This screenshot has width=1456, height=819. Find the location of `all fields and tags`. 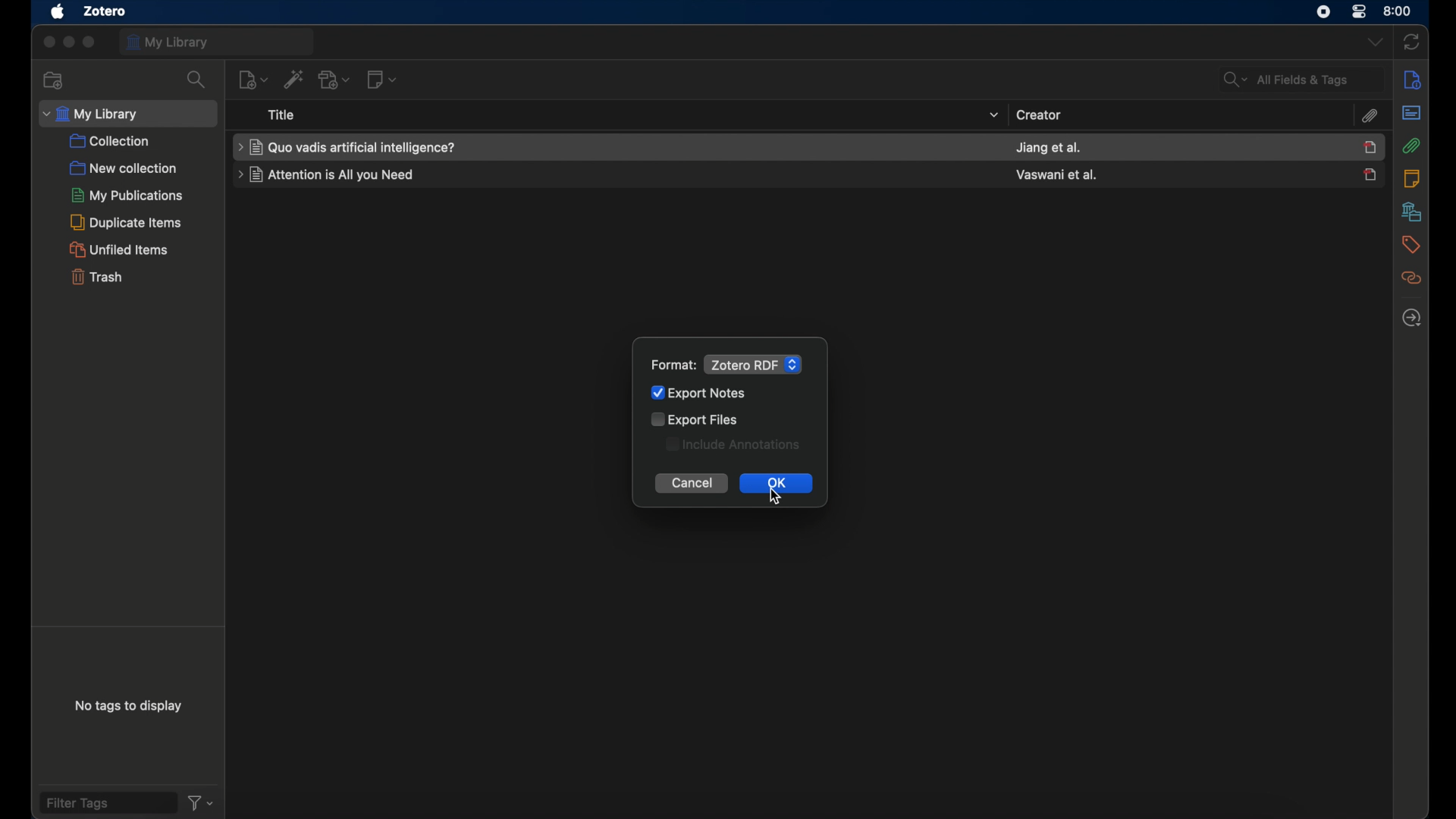

all fields and tags is located at coordinates (1301, 79).